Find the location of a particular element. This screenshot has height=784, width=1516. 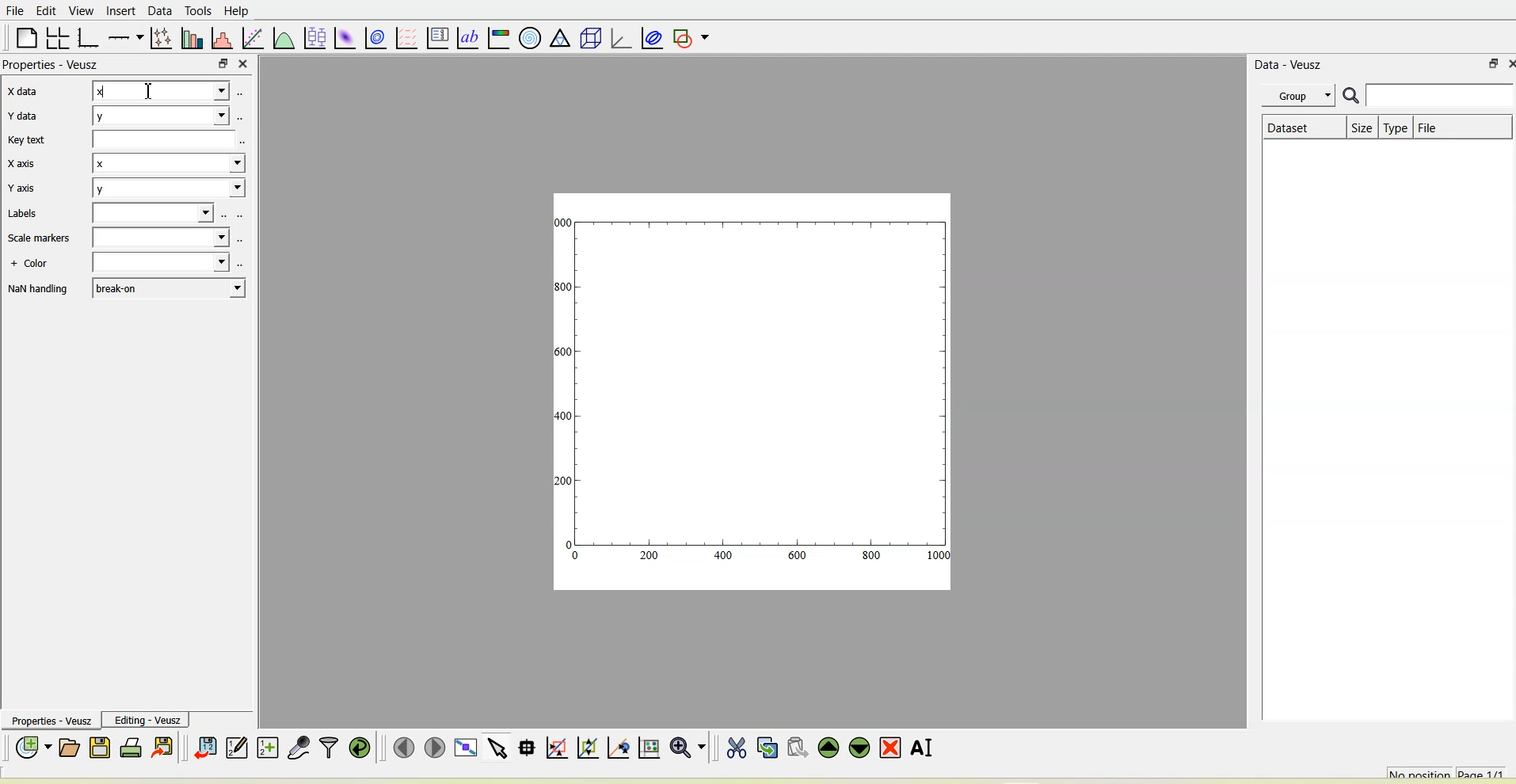

select using dataset browser is located at coordinates (245, 143).